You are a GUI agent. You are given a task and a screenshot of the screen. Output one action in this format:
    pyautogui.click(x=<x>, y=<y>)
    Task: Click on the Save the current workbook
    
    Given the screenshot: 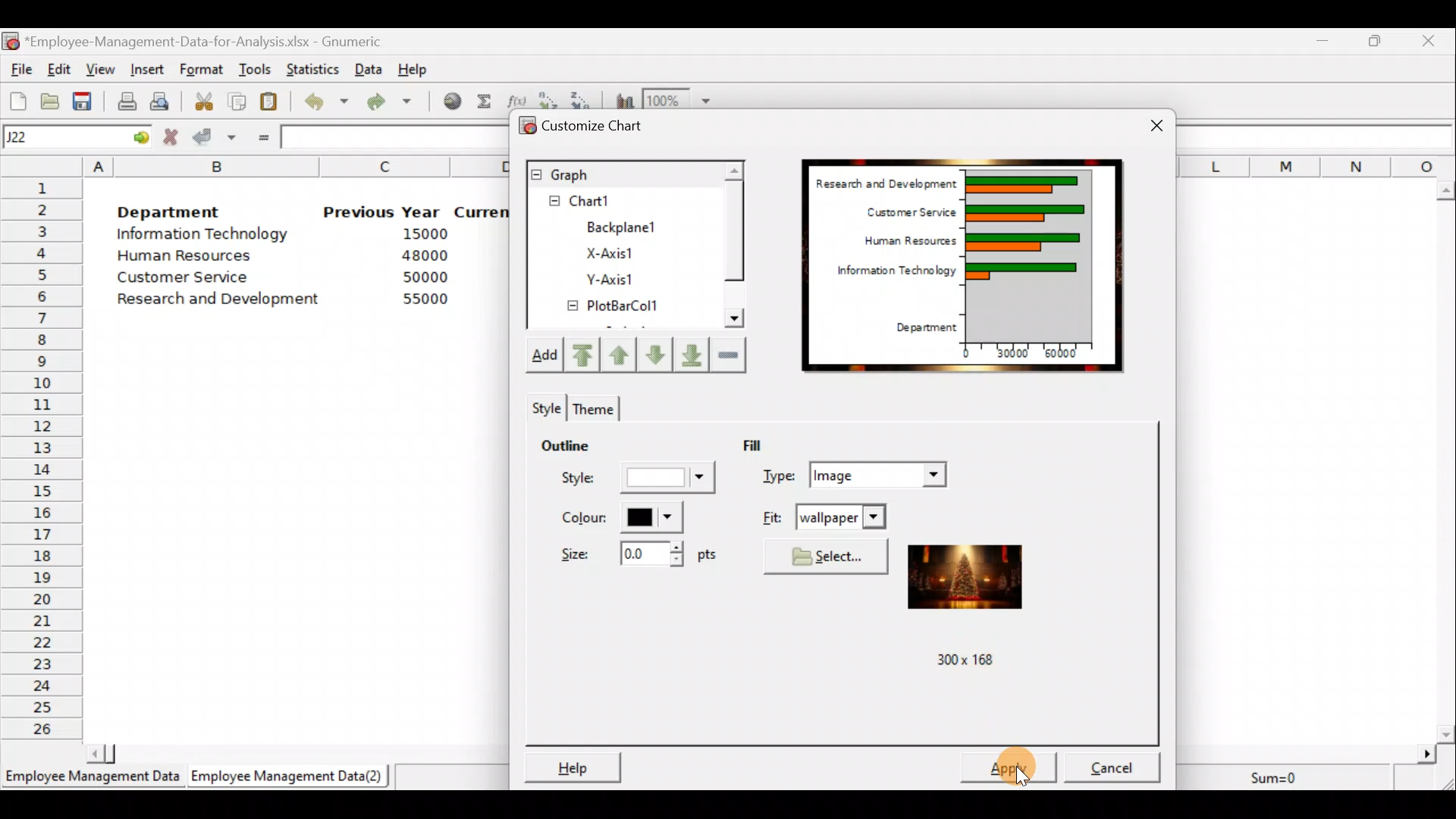 What is the action you would take?
    pyautogui.click(x=83, y=99)
    